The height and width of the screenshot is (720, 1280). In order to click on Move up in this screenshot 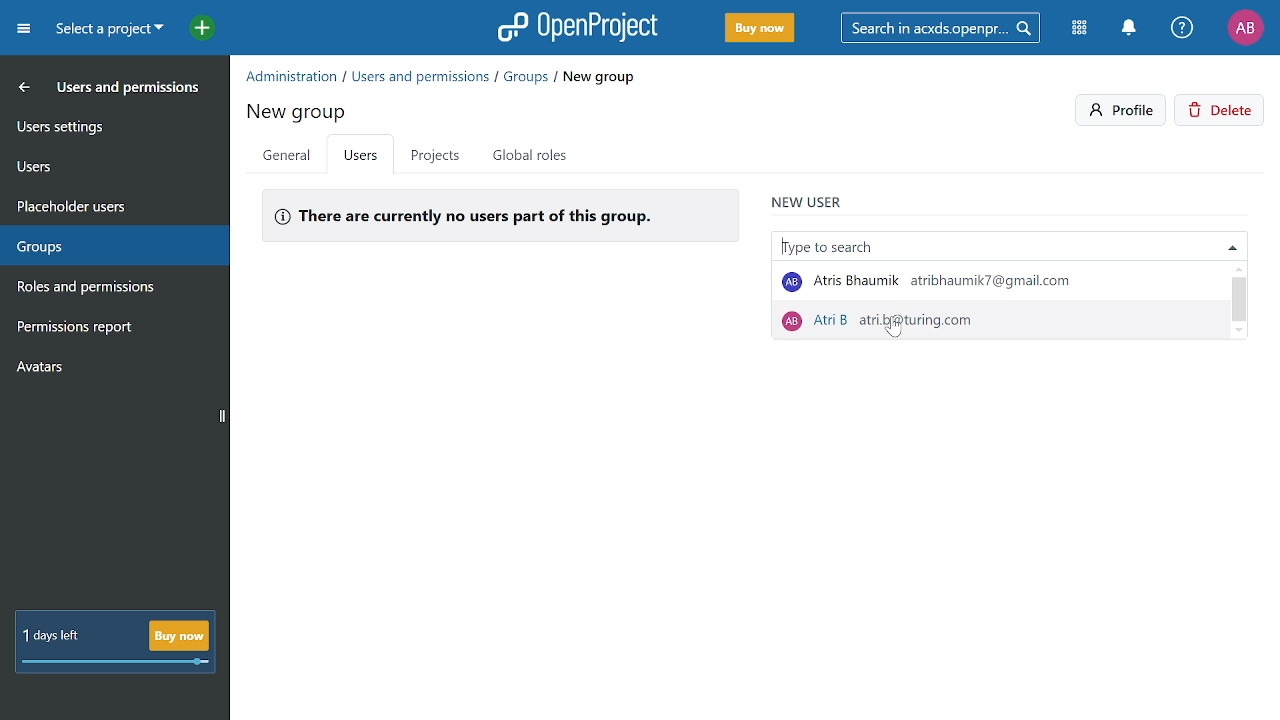, I will do `click(1240, 268)`.